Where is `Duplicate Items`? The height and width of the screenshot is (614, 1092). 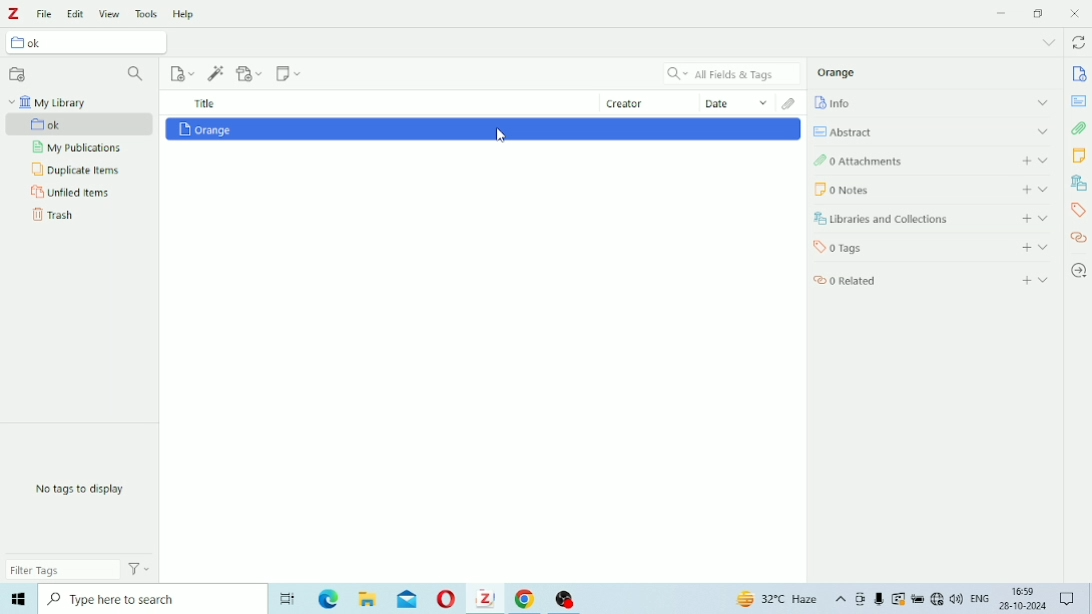
Duplicate Items is located at coordinates (78, 170).